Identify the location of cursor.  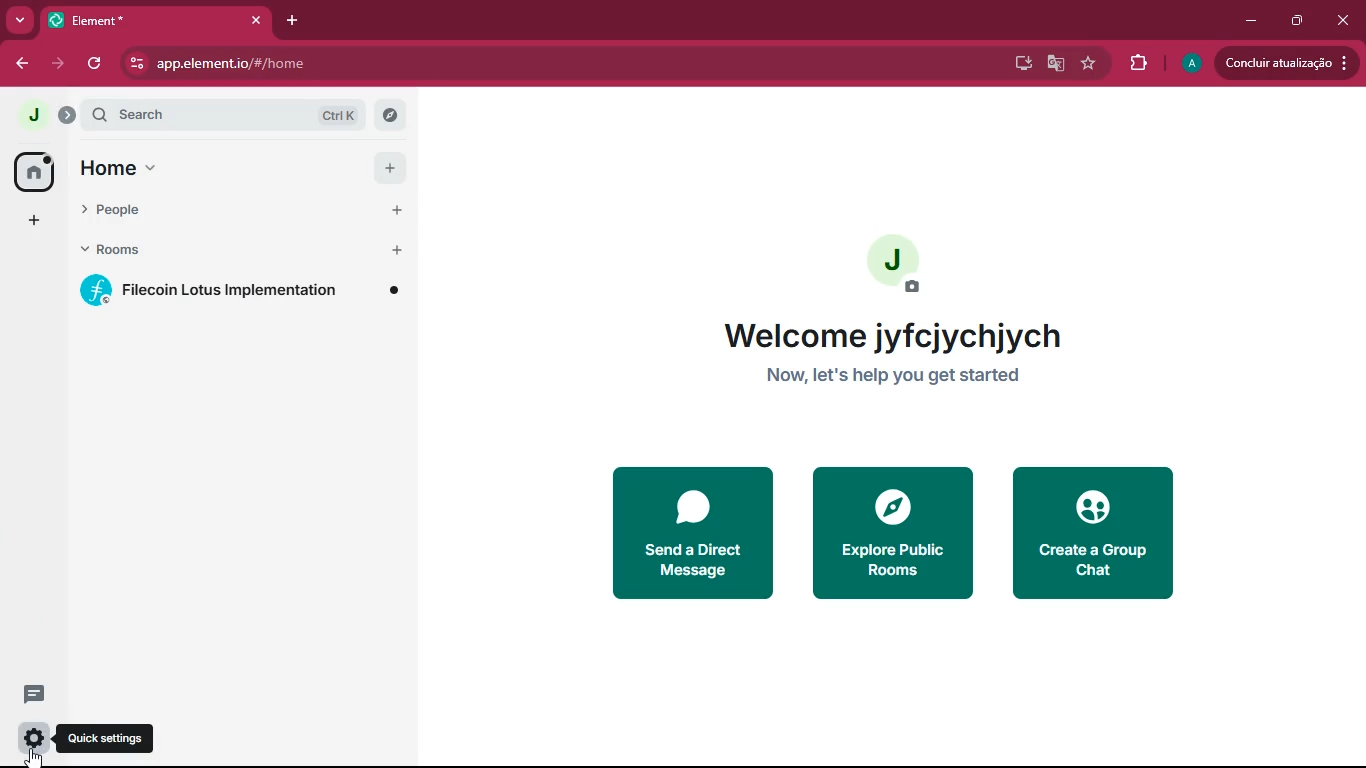
(34, 758).